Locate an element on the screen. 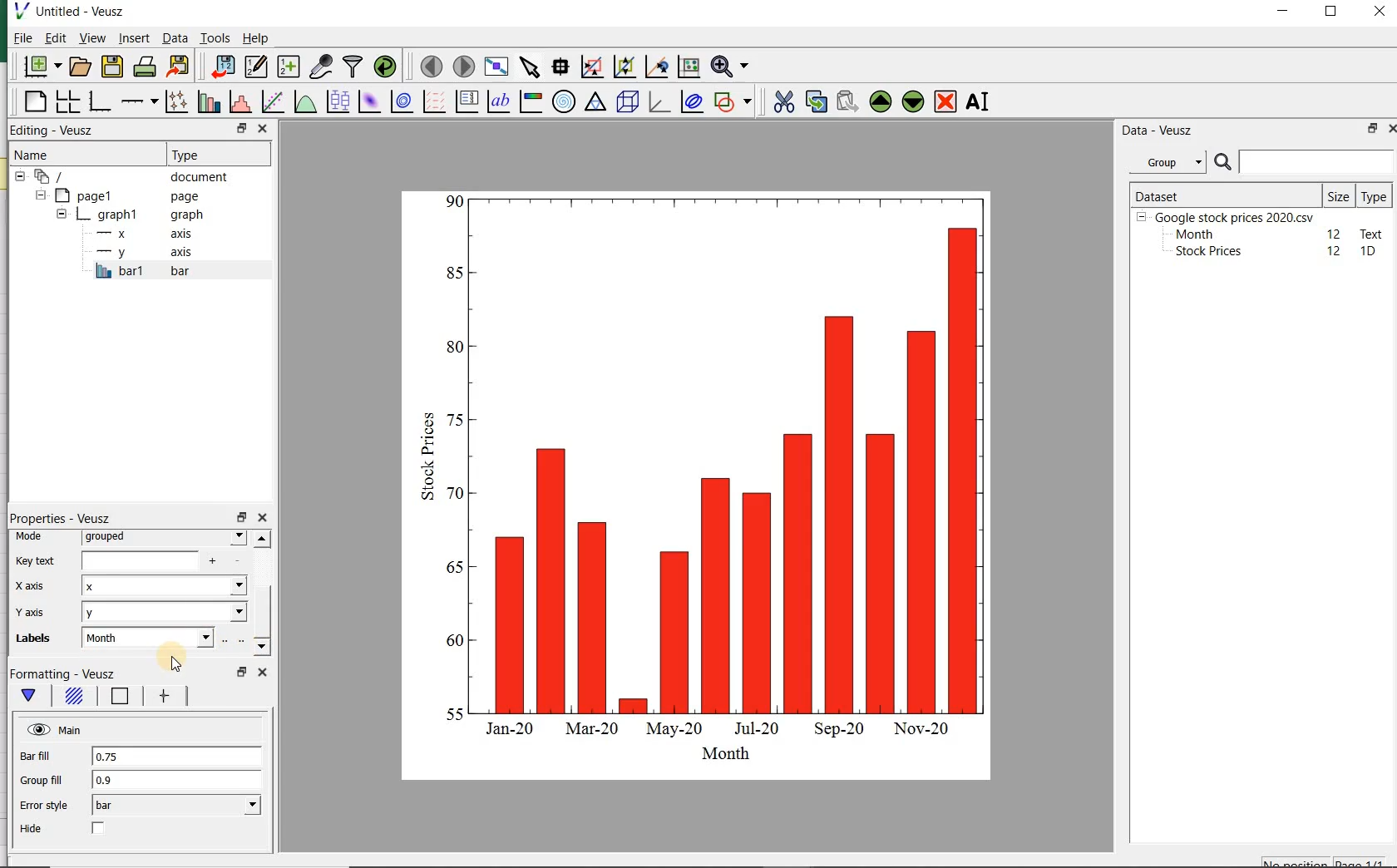 The image size is (1397, 868). print the document is located at coordinates (145, 68).